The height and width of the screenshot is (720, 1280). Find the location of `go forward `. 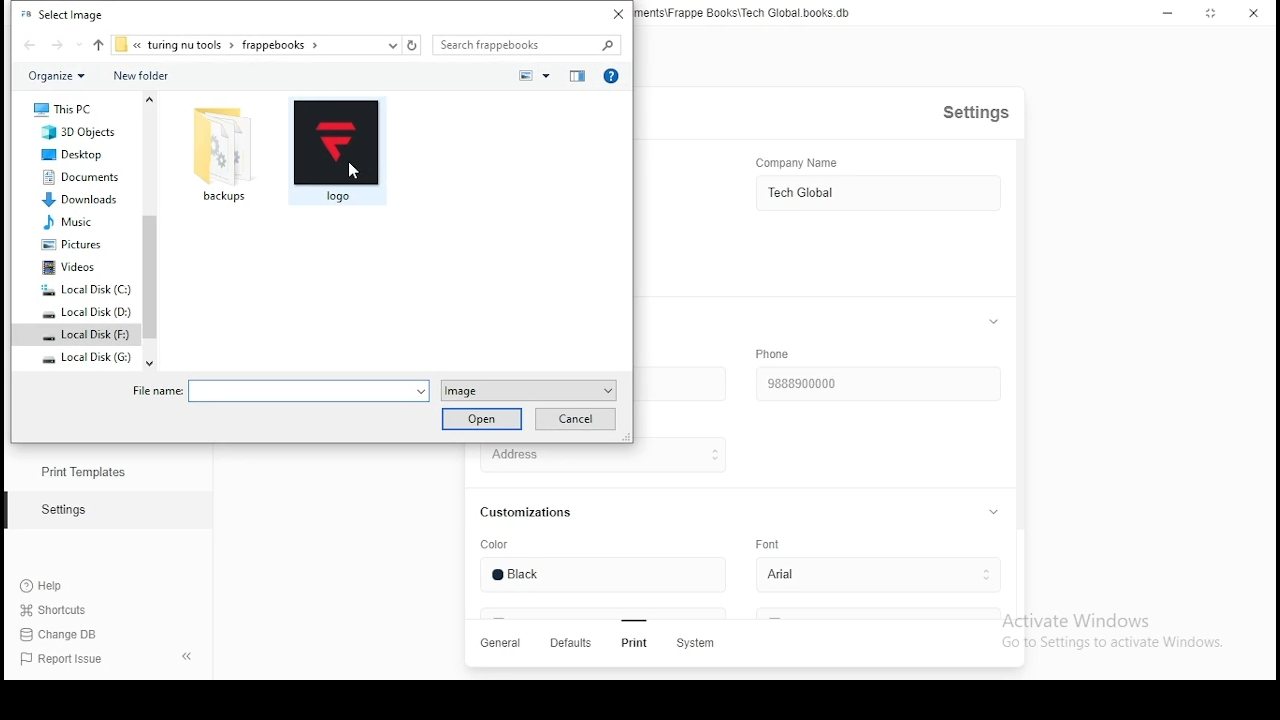

go forward  is located at coordinates (58, 46).